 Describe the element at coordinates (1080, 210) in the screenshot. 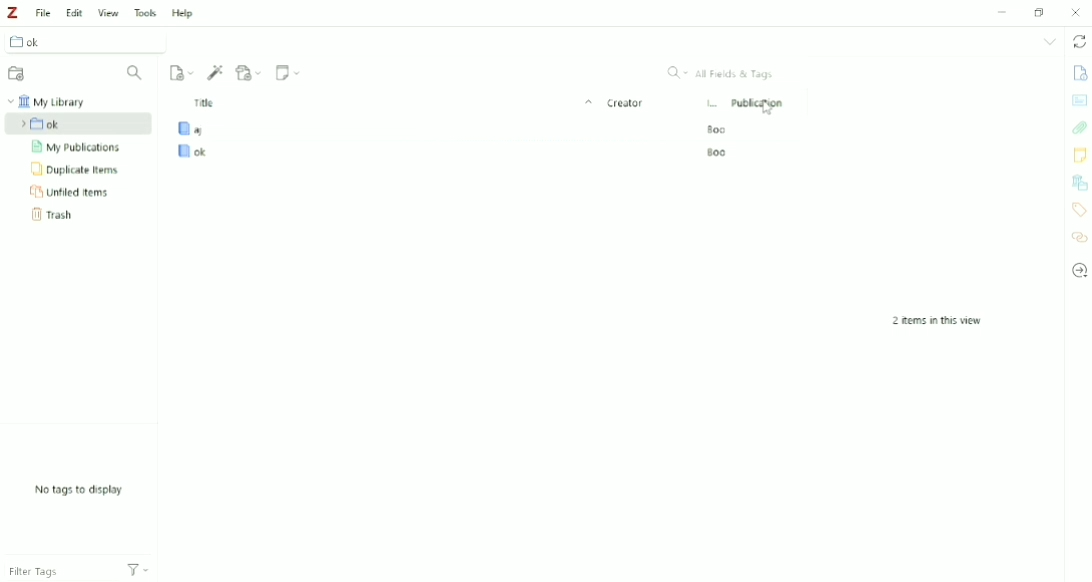

I see `Tags` at that location.